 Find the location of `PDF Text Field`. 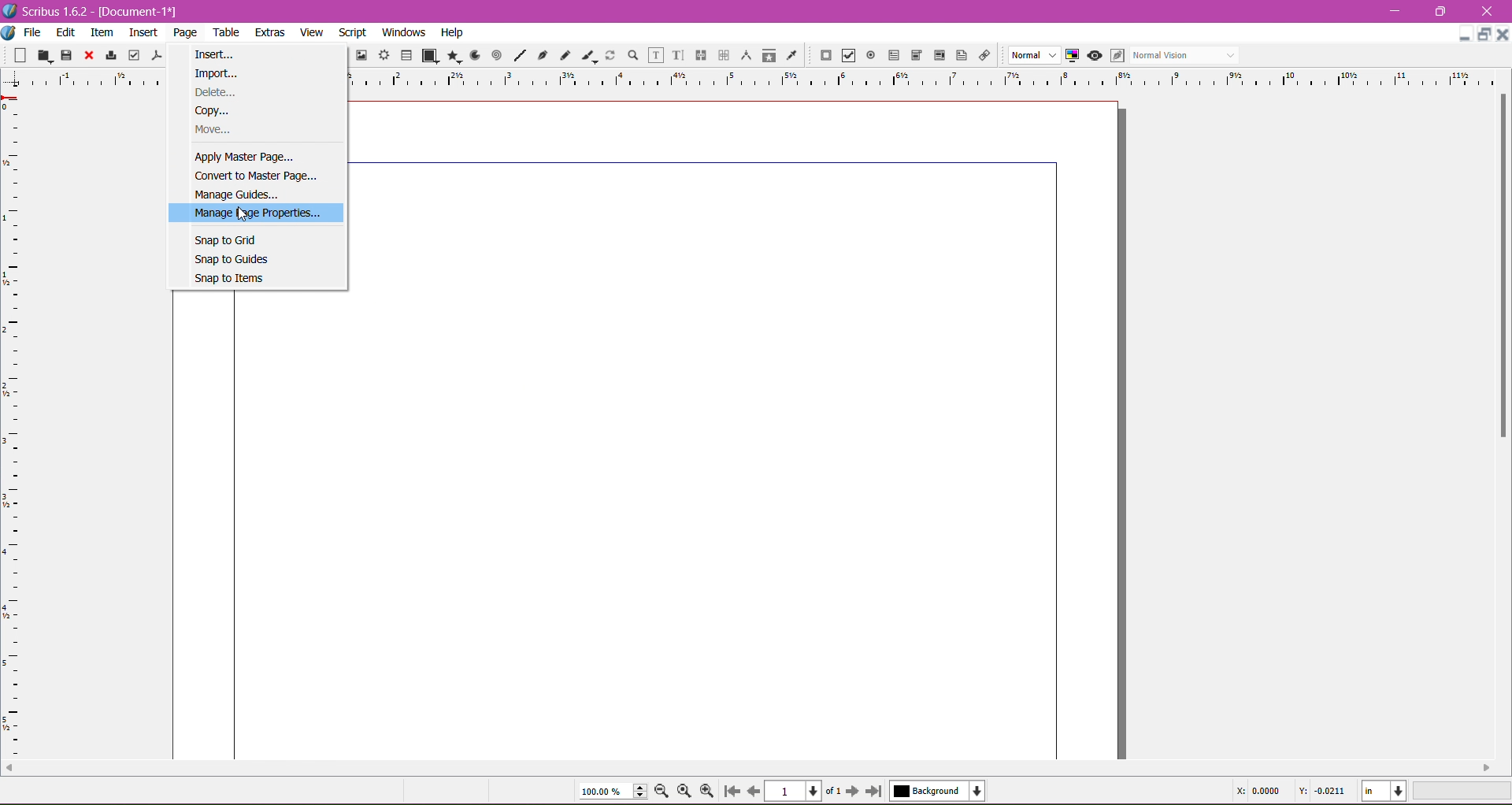

PDF Text Field is located at coordinates (894, 56).